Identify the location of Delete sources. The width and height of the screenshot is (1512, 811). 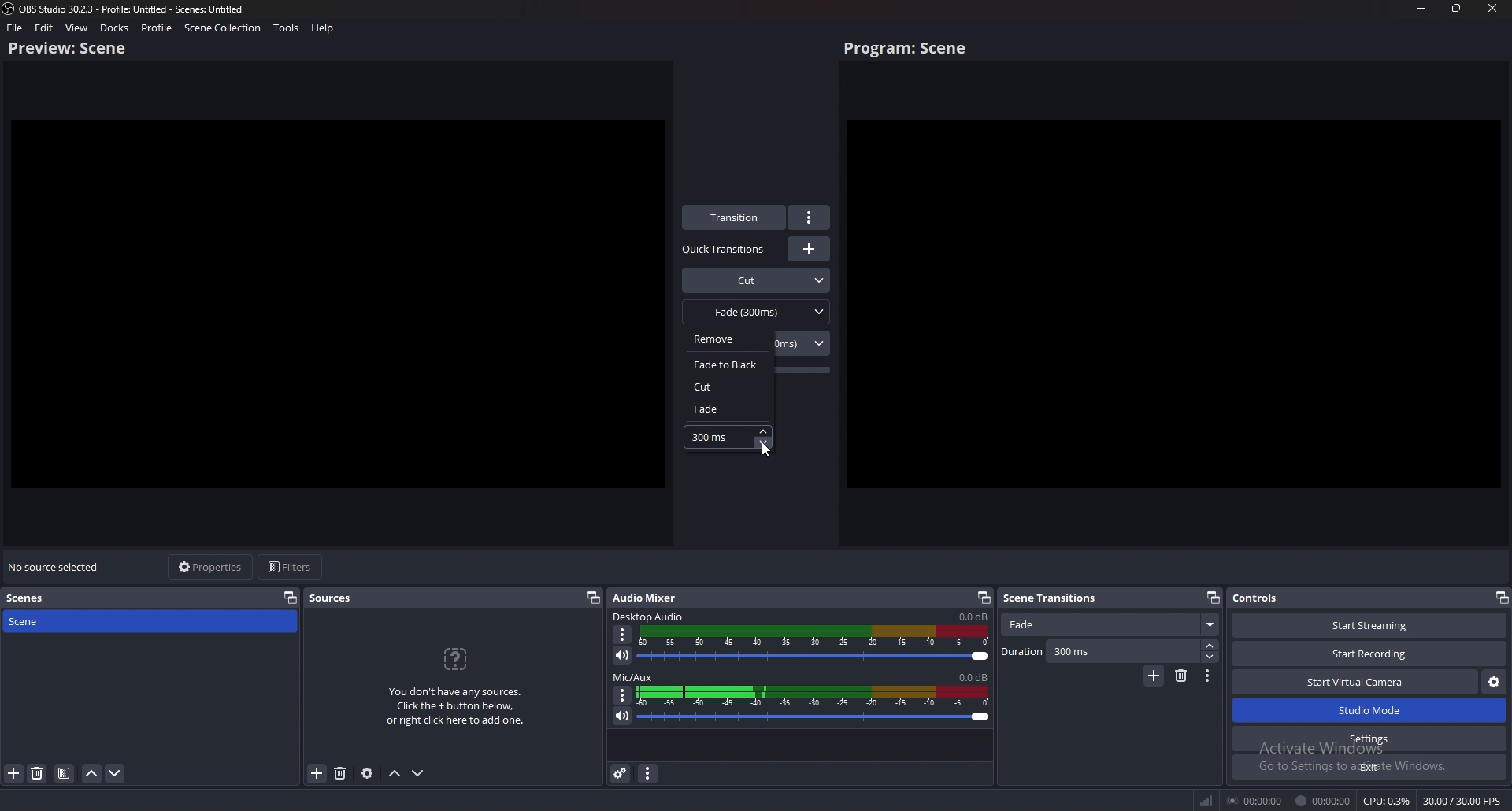
(339, 773).